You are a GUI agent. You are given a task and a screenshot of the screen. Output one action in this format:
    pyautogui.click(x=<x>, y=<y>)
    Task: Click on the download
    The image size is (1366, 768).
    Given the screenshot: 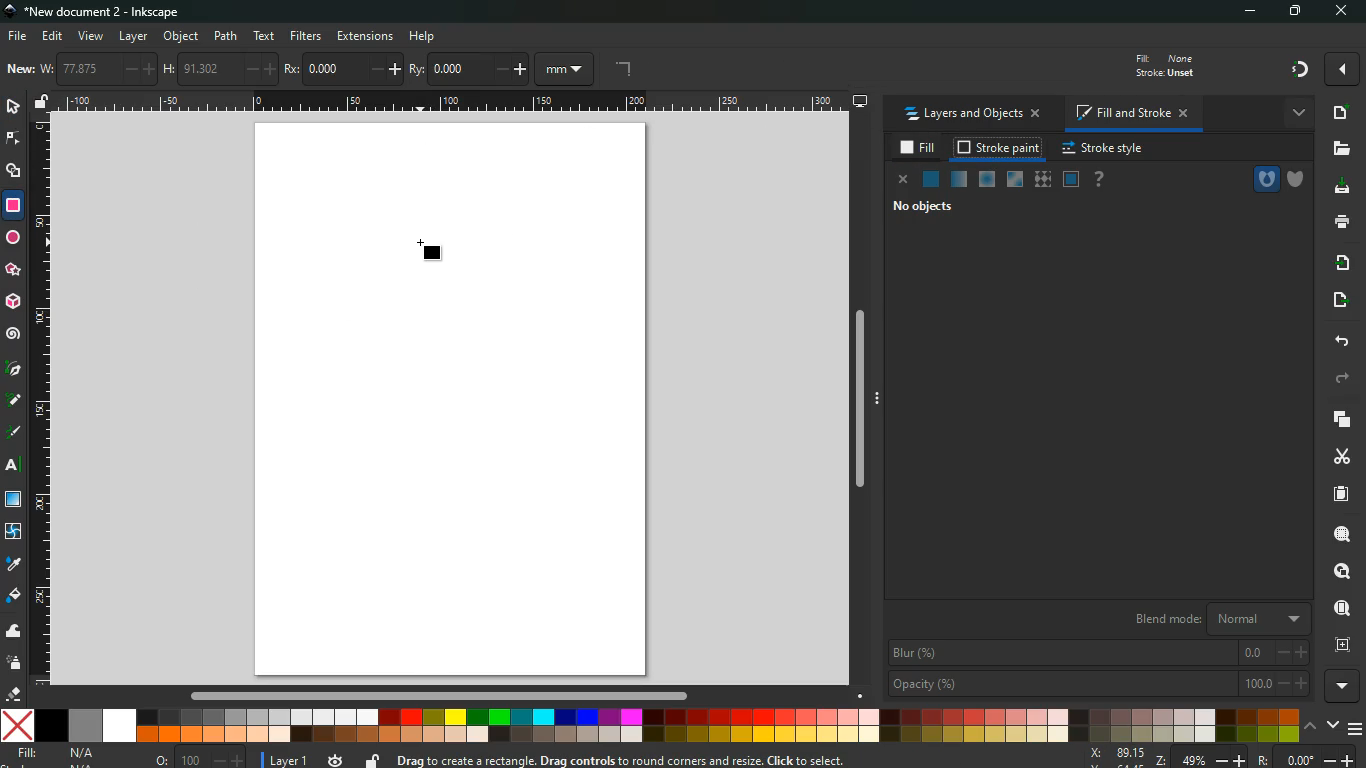 What is the action you would take?
    pyautogui.click(x=1340, y=188)
    